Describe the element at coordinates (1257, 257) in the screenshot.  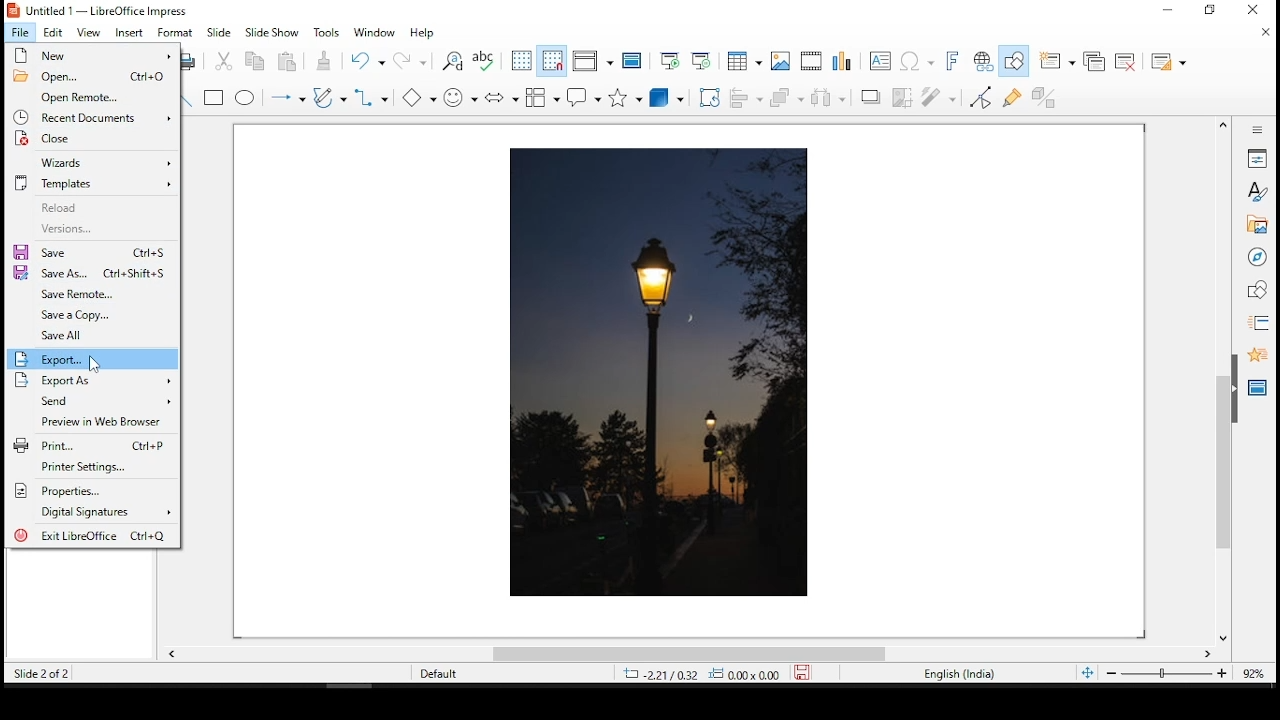
I see `navigator` at that location.